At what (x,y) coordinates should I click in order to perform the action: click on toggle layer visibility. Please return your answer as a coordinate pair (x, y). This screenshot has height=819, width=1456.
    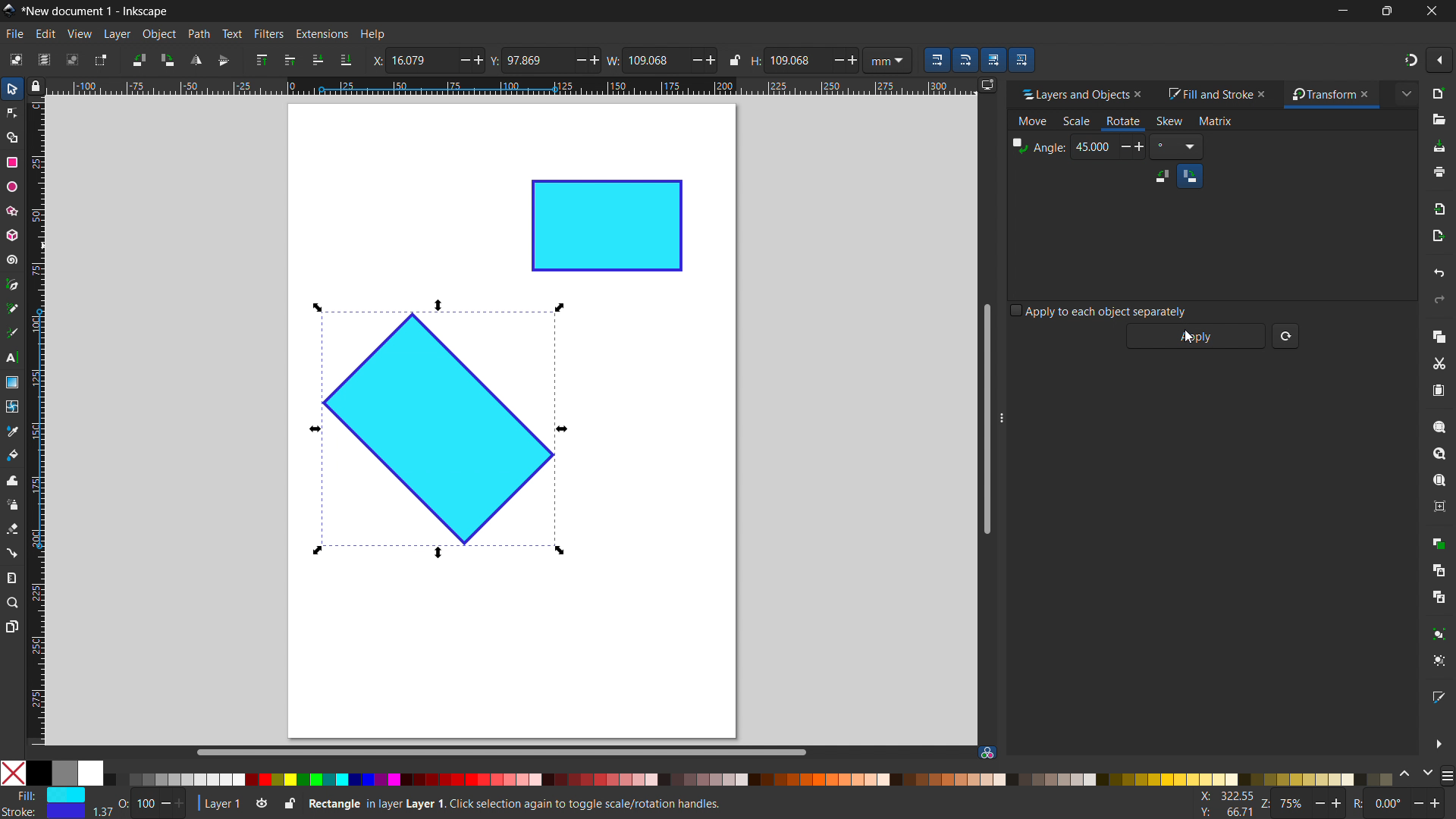
    Looking at the image, I should click on (262, 805).